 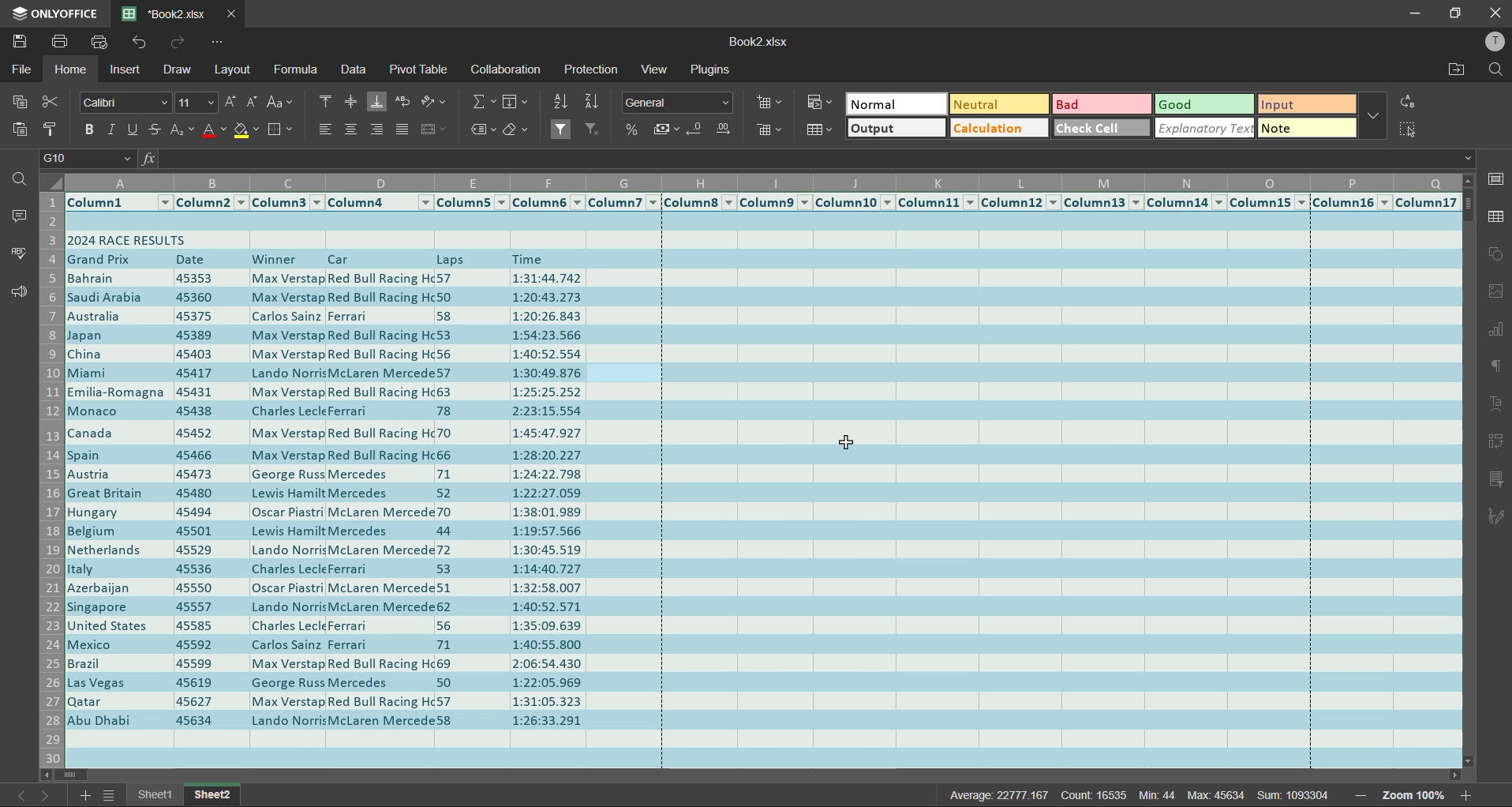 What do you see at coordinates (103, 43) in the screenshot?
I see `quick print` at bounding box center [103, 43].